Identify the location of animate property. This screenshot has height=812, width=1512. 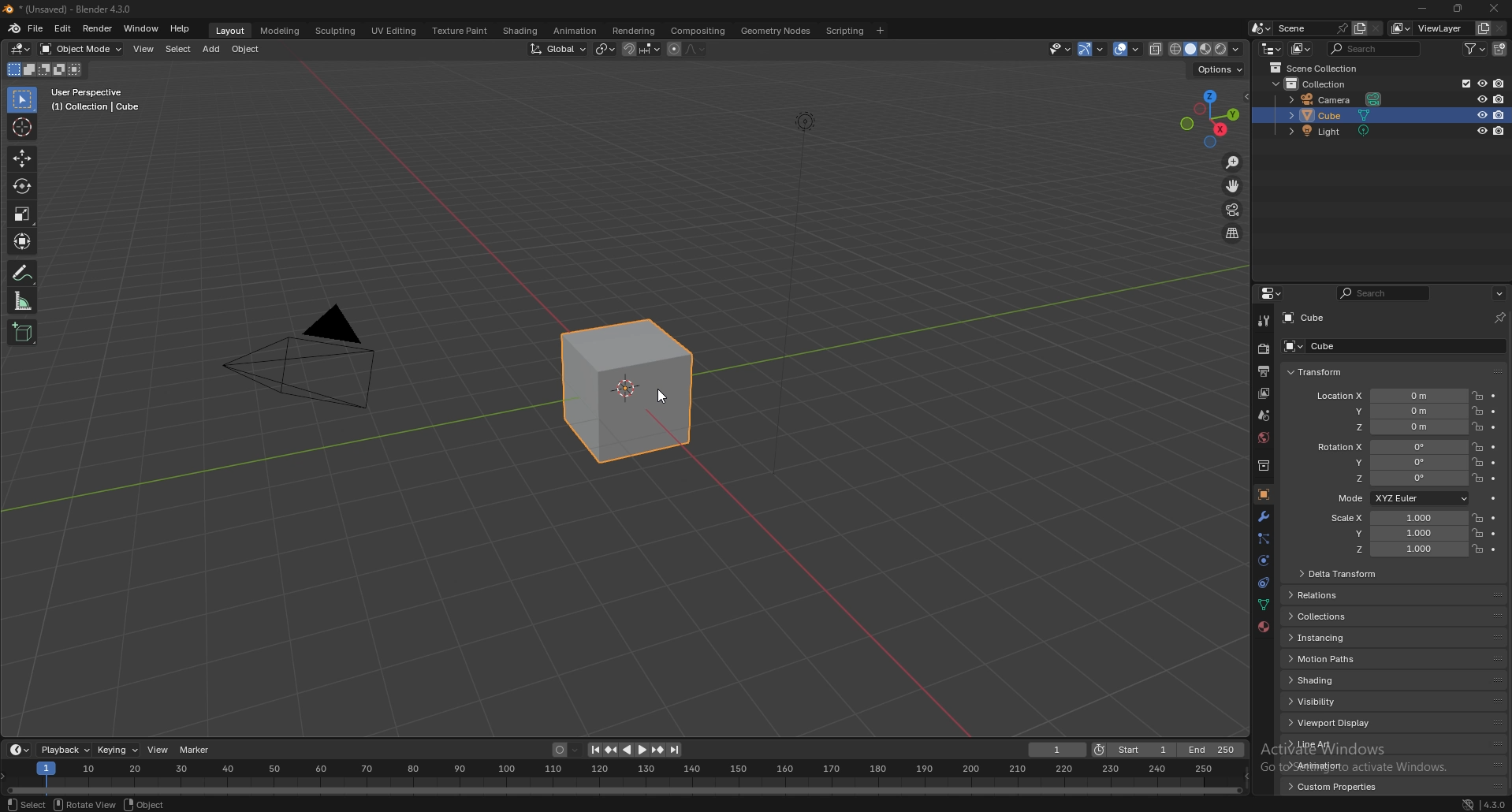
(1494, 550).